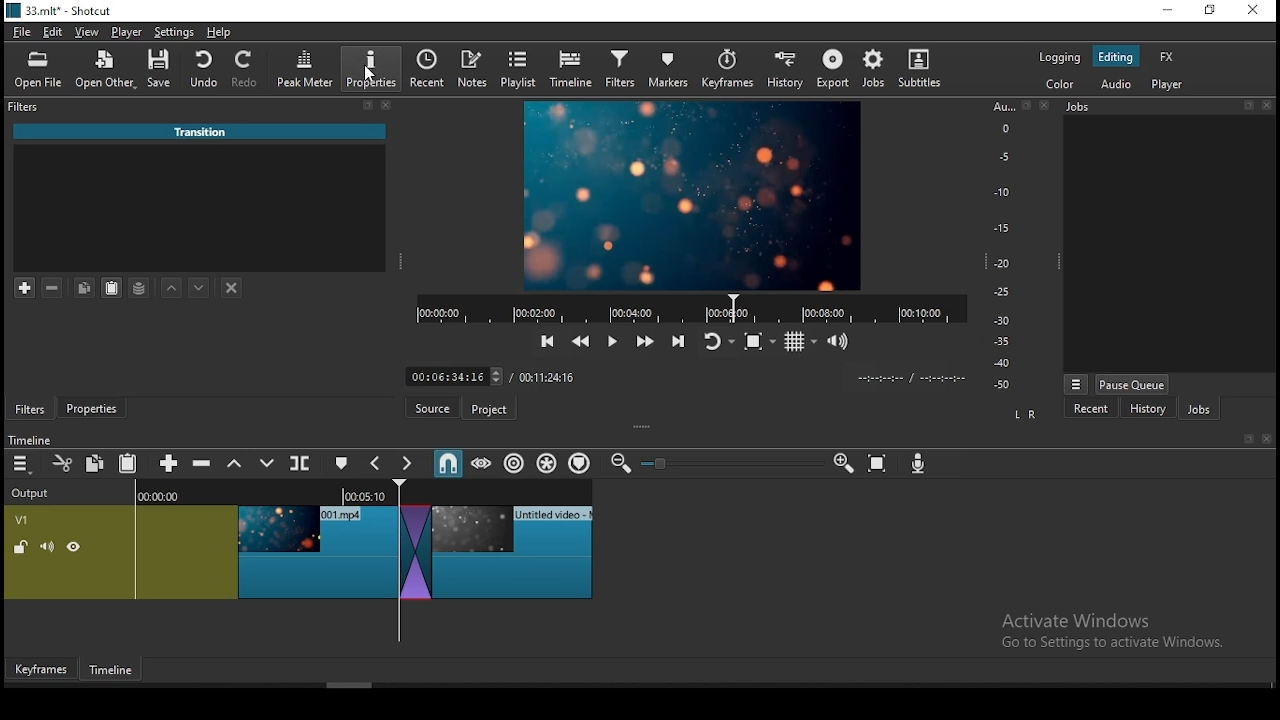 This screenshot has width=1280, height=720. I want to click on settings, so click(175, 35).